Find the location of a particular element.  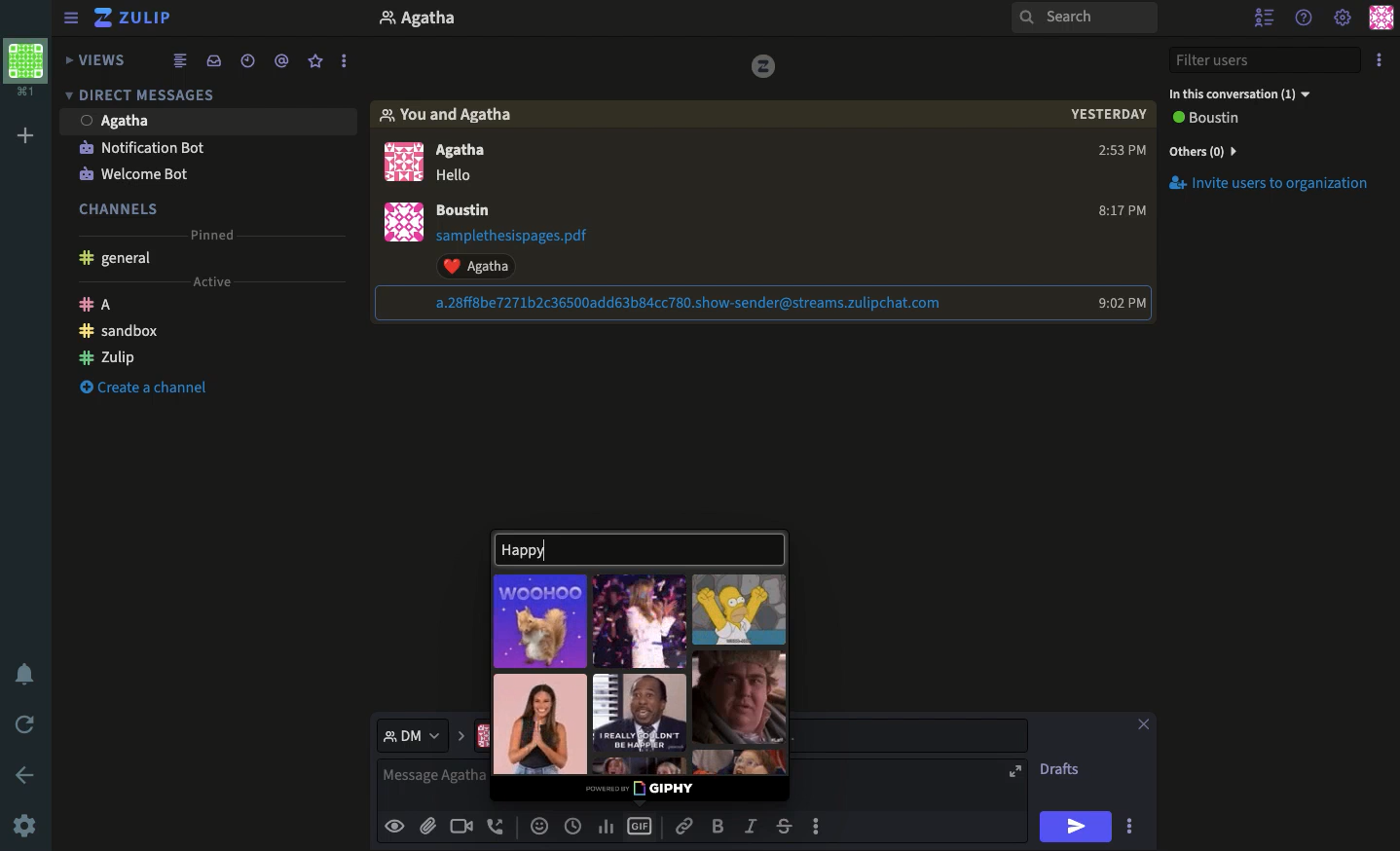

Drafts is located at coordinates (1063, 768).